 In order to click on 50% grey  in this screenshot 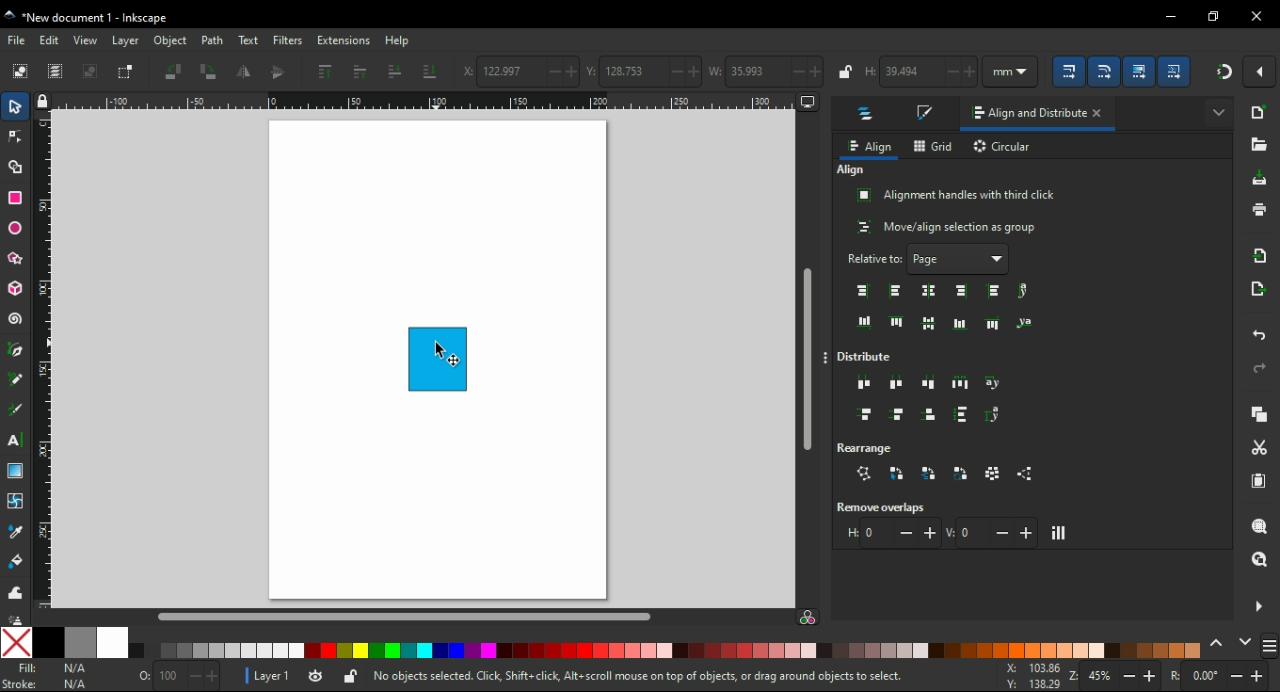, I will do `click(81, 642)`.